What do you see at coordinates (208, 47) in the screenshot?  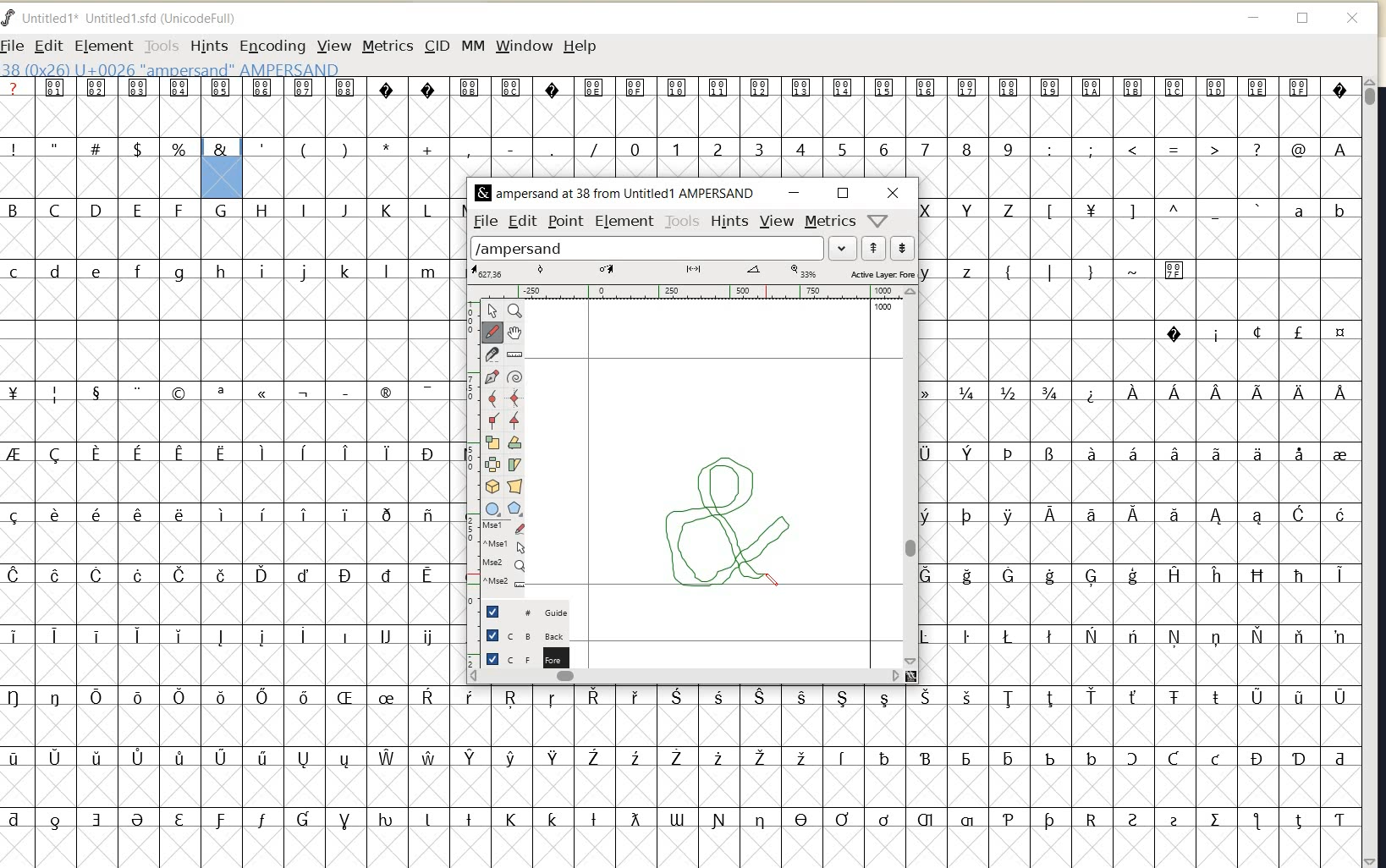 I see `HINTS` at bounding box center [208, 47].